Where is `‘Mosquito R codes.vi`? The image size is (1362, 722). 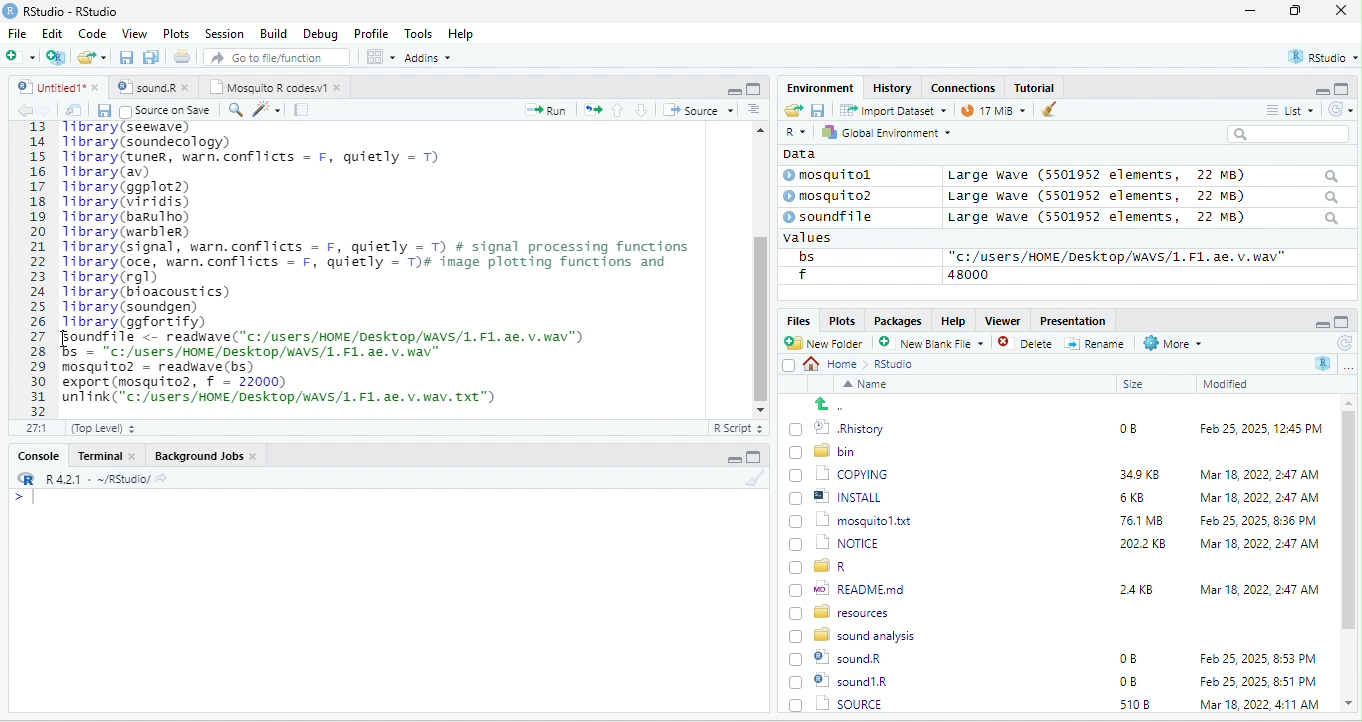 ‘Mosquito R codes.vi is located at coordinates (150, 87).